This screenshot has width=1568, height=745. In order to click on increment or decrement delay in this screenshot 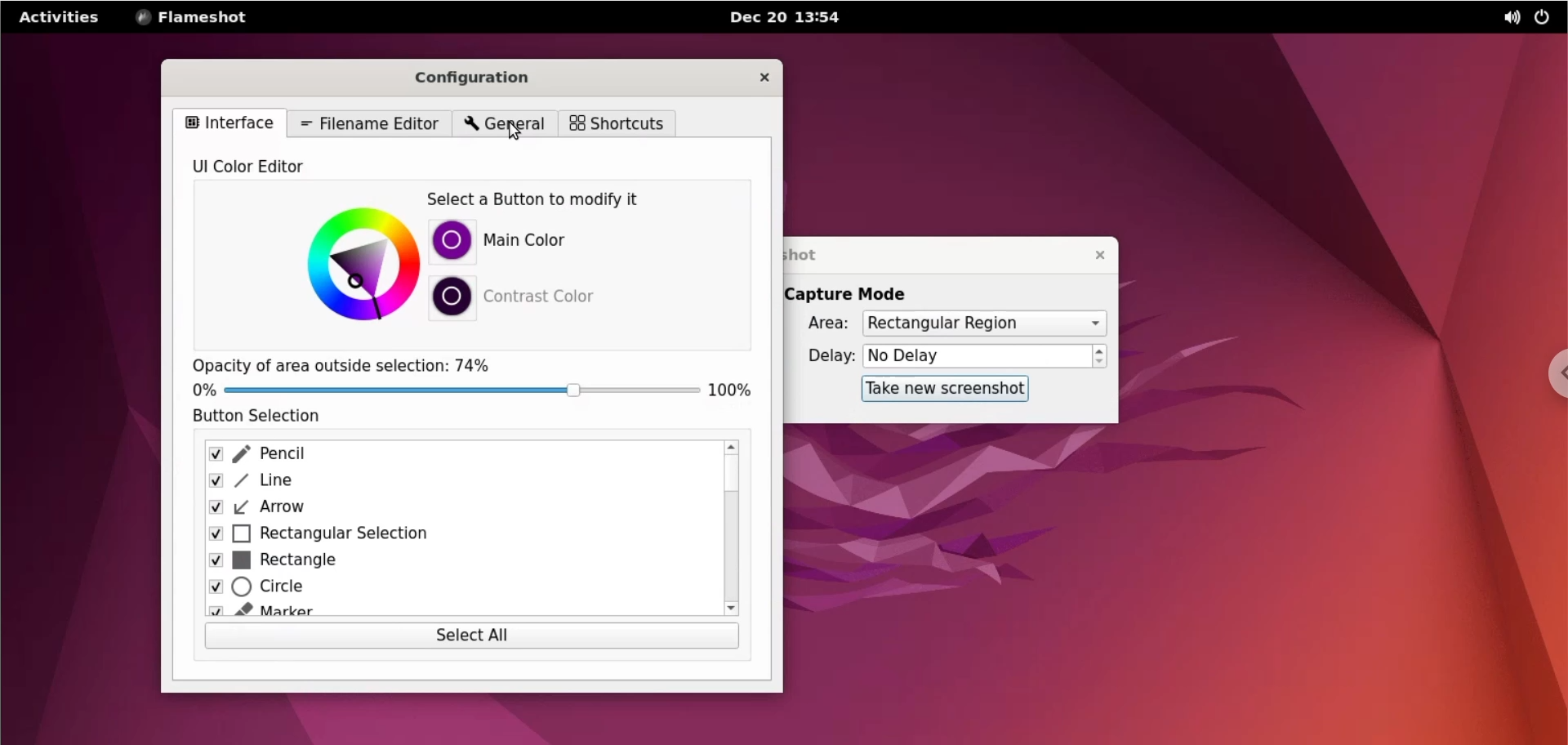, I will do `click(1102, 356)`.